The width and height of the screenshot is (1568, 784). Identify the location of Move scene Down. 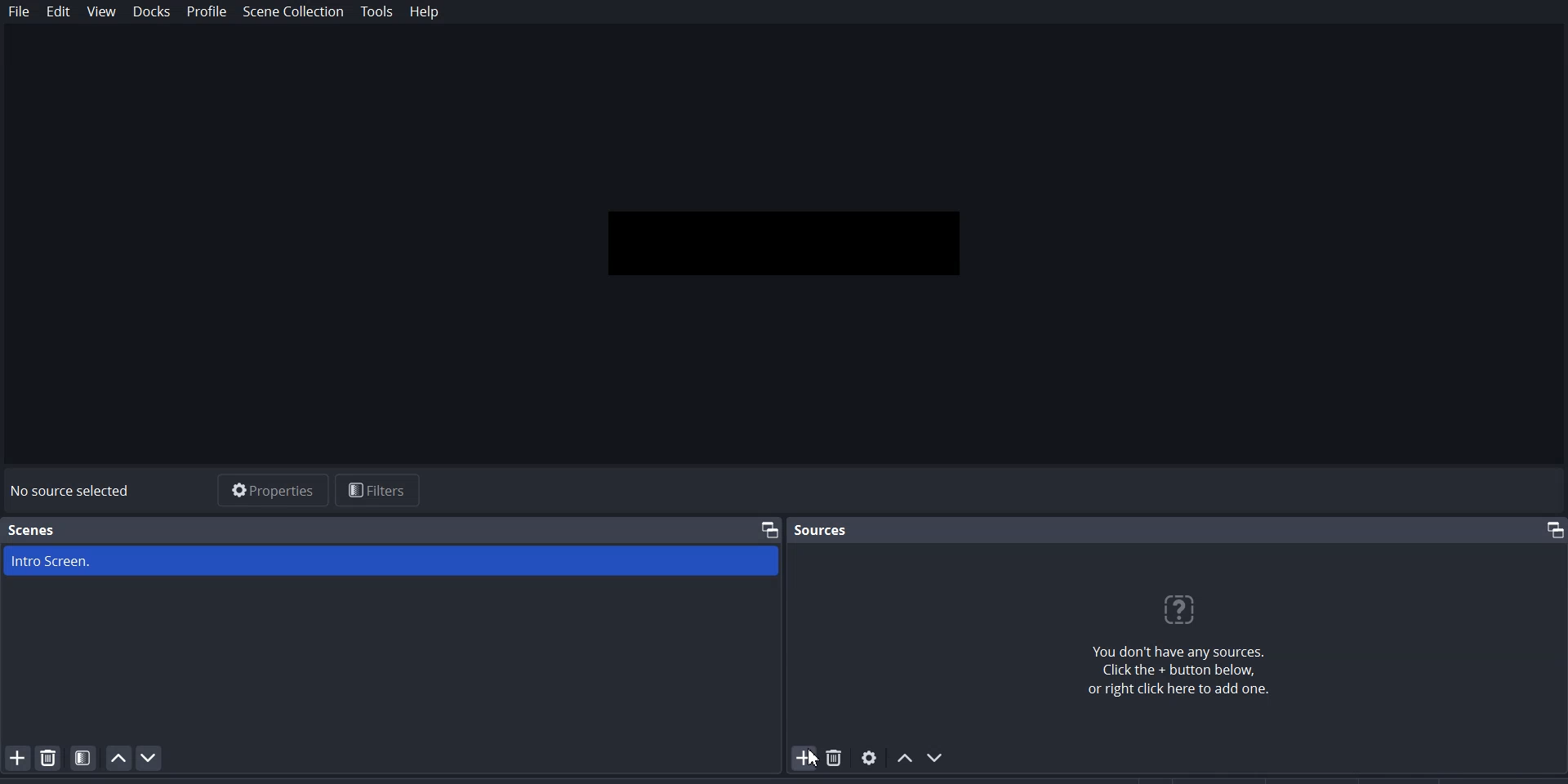
(149, 758).